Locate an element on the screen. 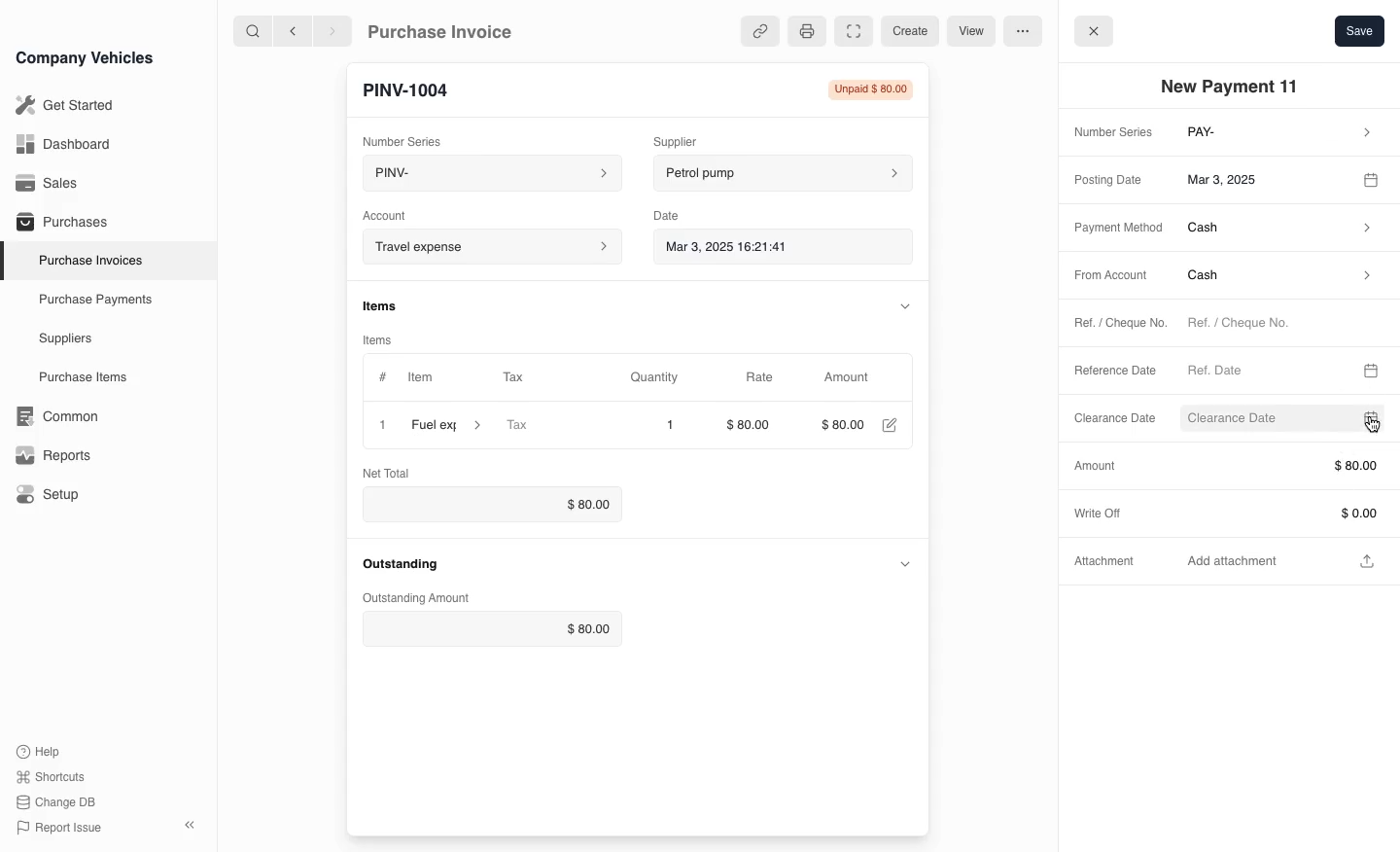 Image resolution: width=1400 pixels, height=852 pixels. Company Vehicles is located at coordinates (85, 57).